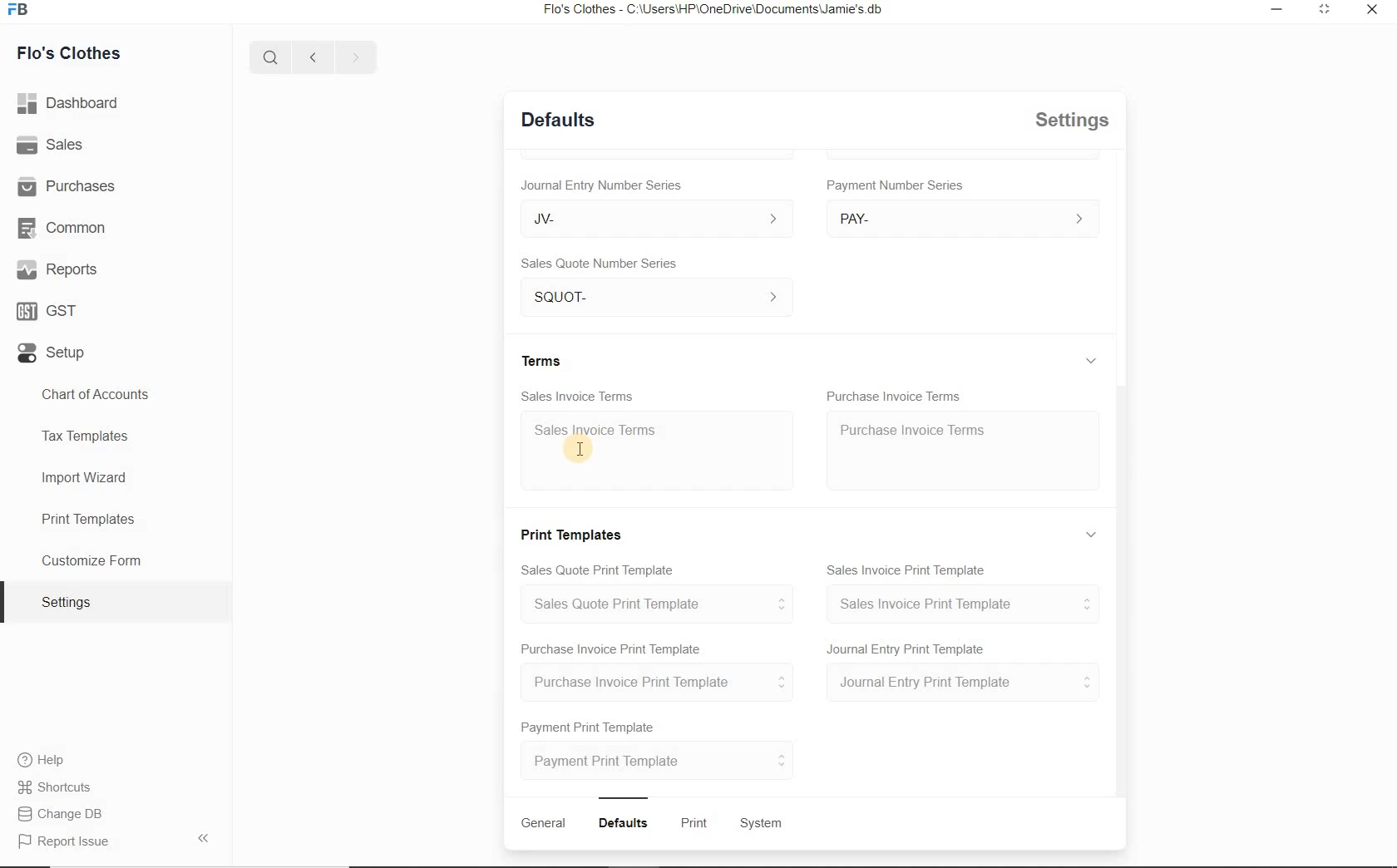 The image size is (1397, 868). Describe the element at coordinates (601, 432) in the screenshot. I see `Sales invoice Terms` at that location.